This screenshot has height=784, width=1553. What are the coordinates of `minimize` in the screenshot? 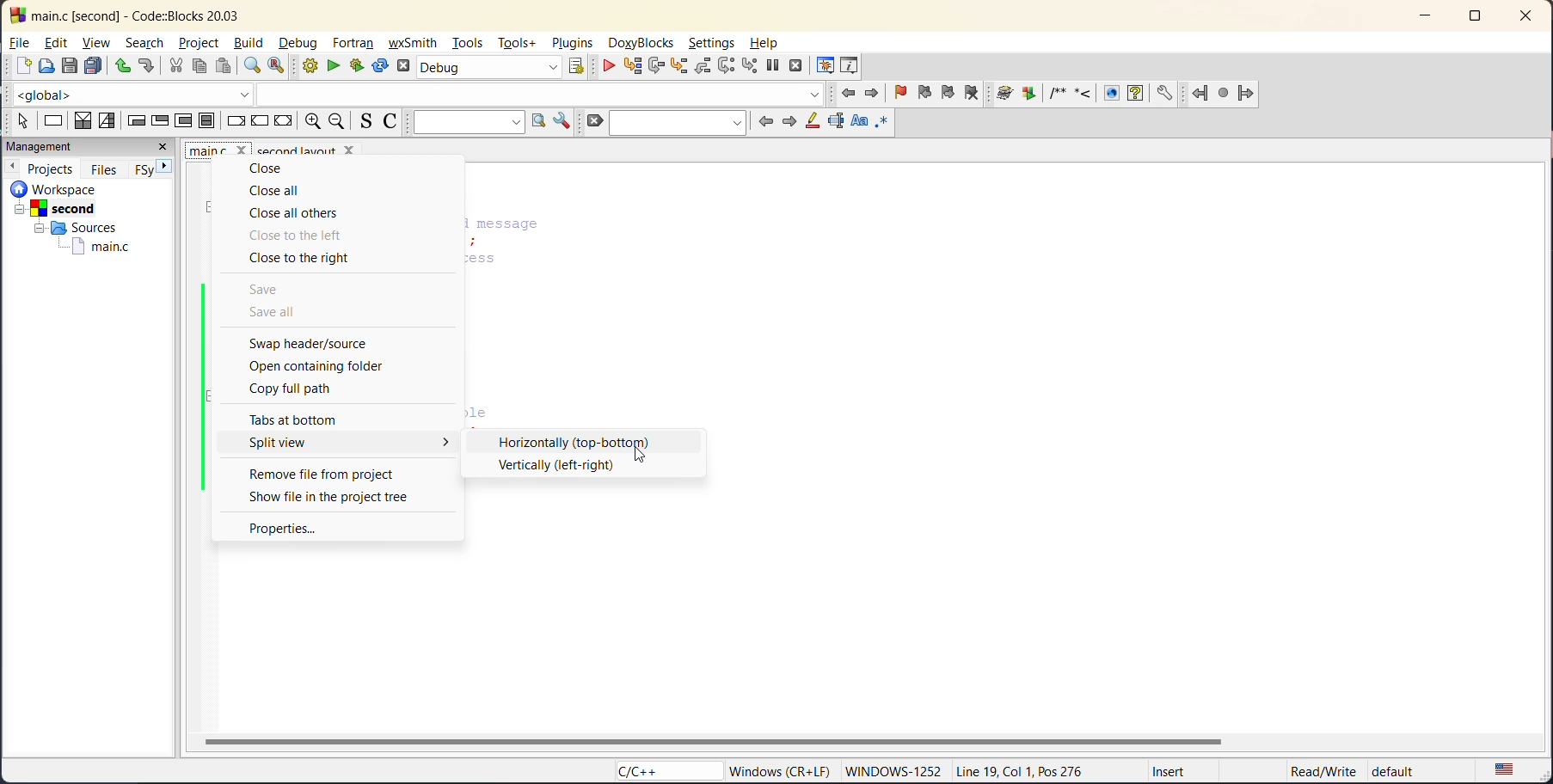 It's located at (1423, 17).